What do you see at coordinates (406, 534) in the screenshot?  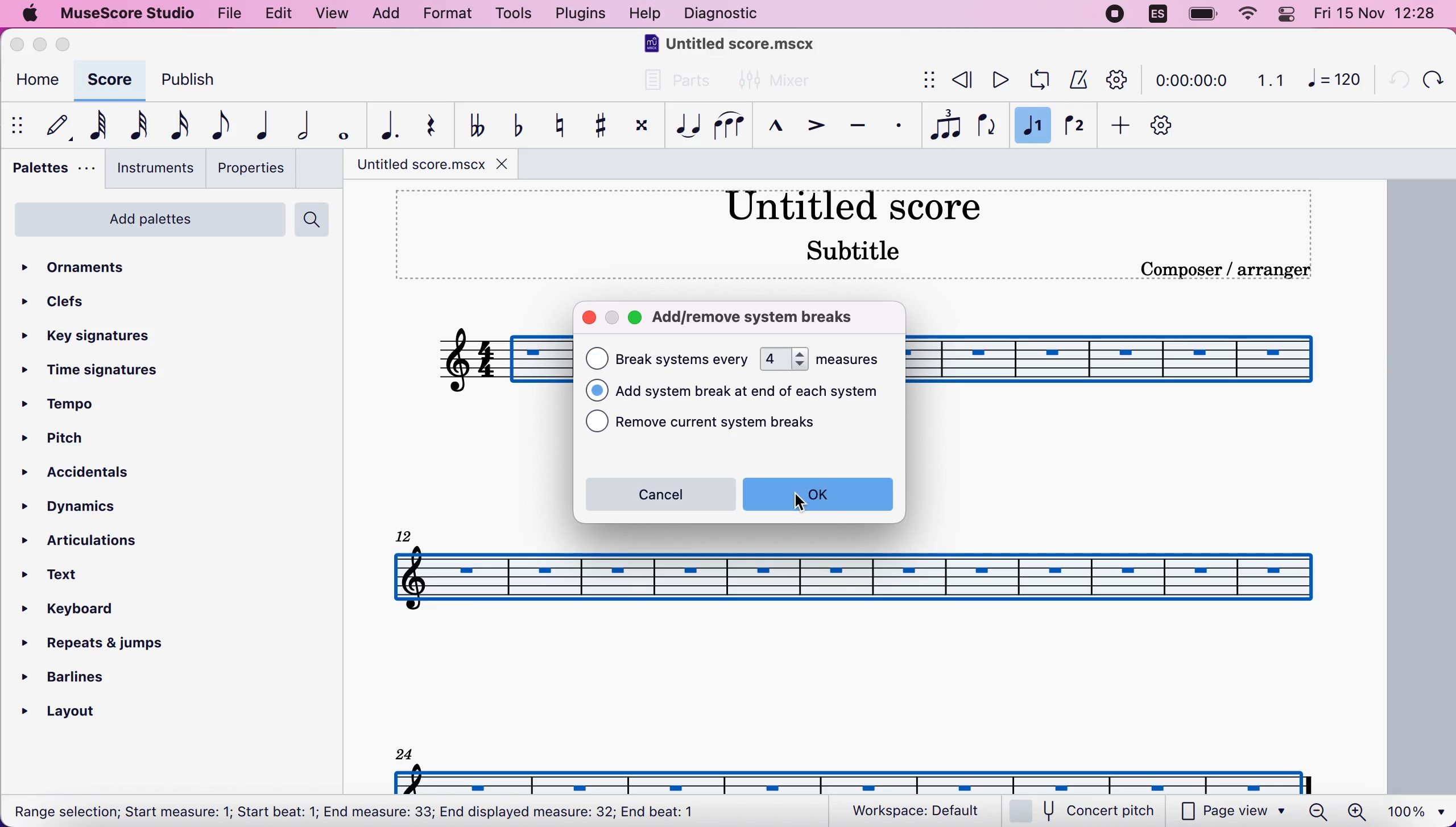 I see `12` at bounding box center [406, 534].